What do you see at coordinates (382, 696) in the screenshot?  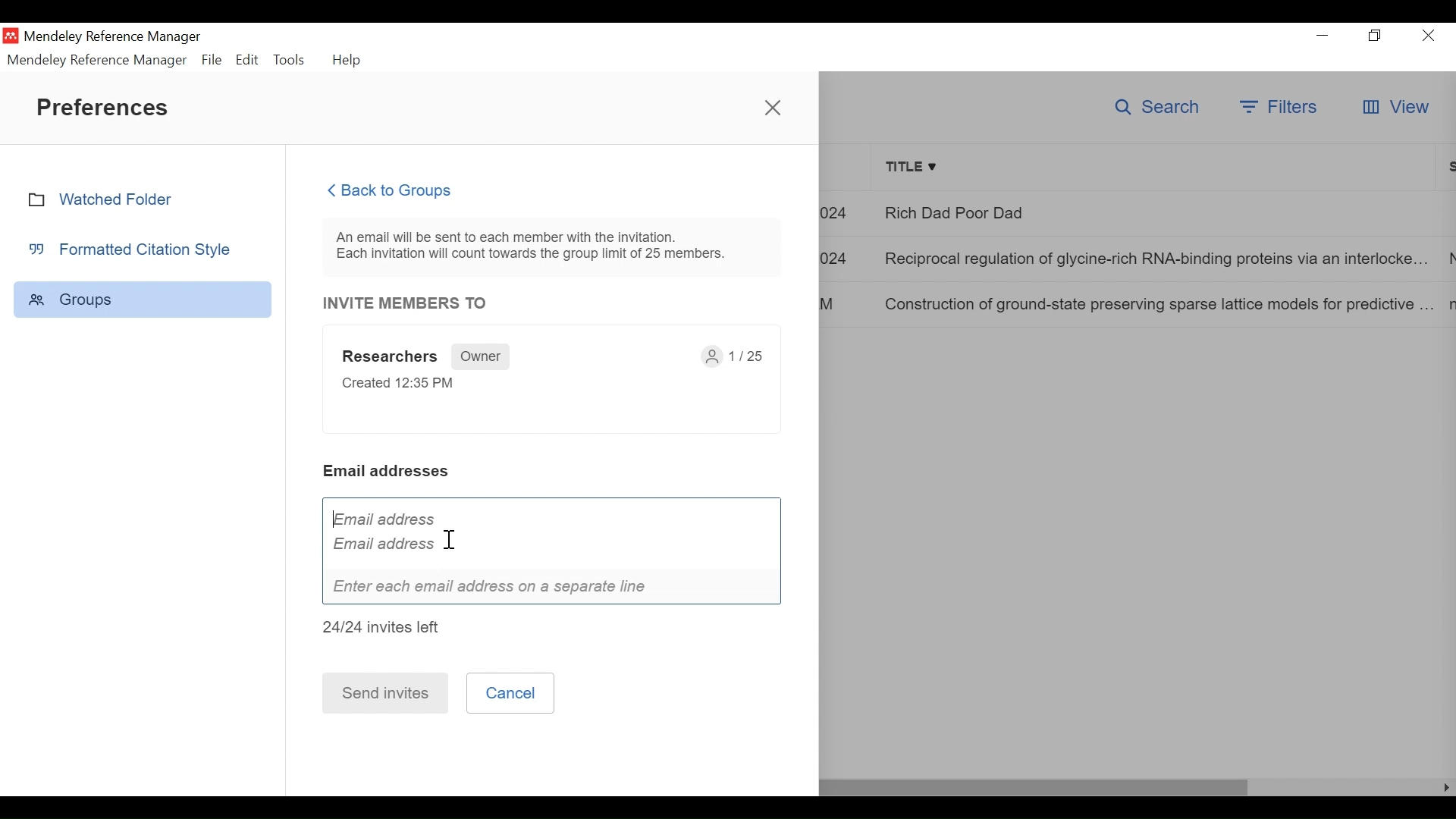 I see `Send invites` at bounding box center [382, 696].